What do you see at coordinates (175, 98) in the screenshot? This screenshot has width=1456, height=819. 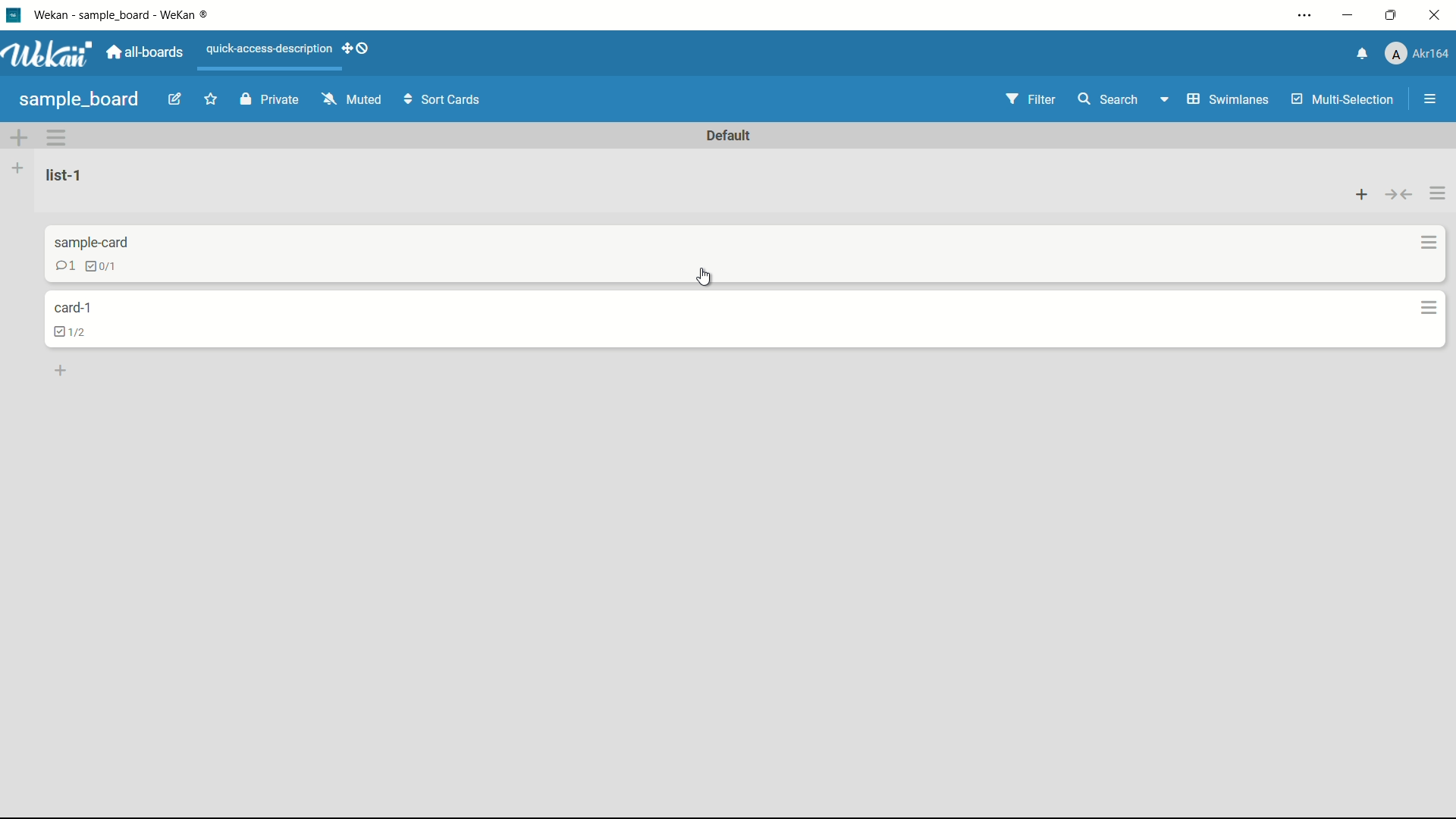 I see `edit board` at bounding box center [175, 98].